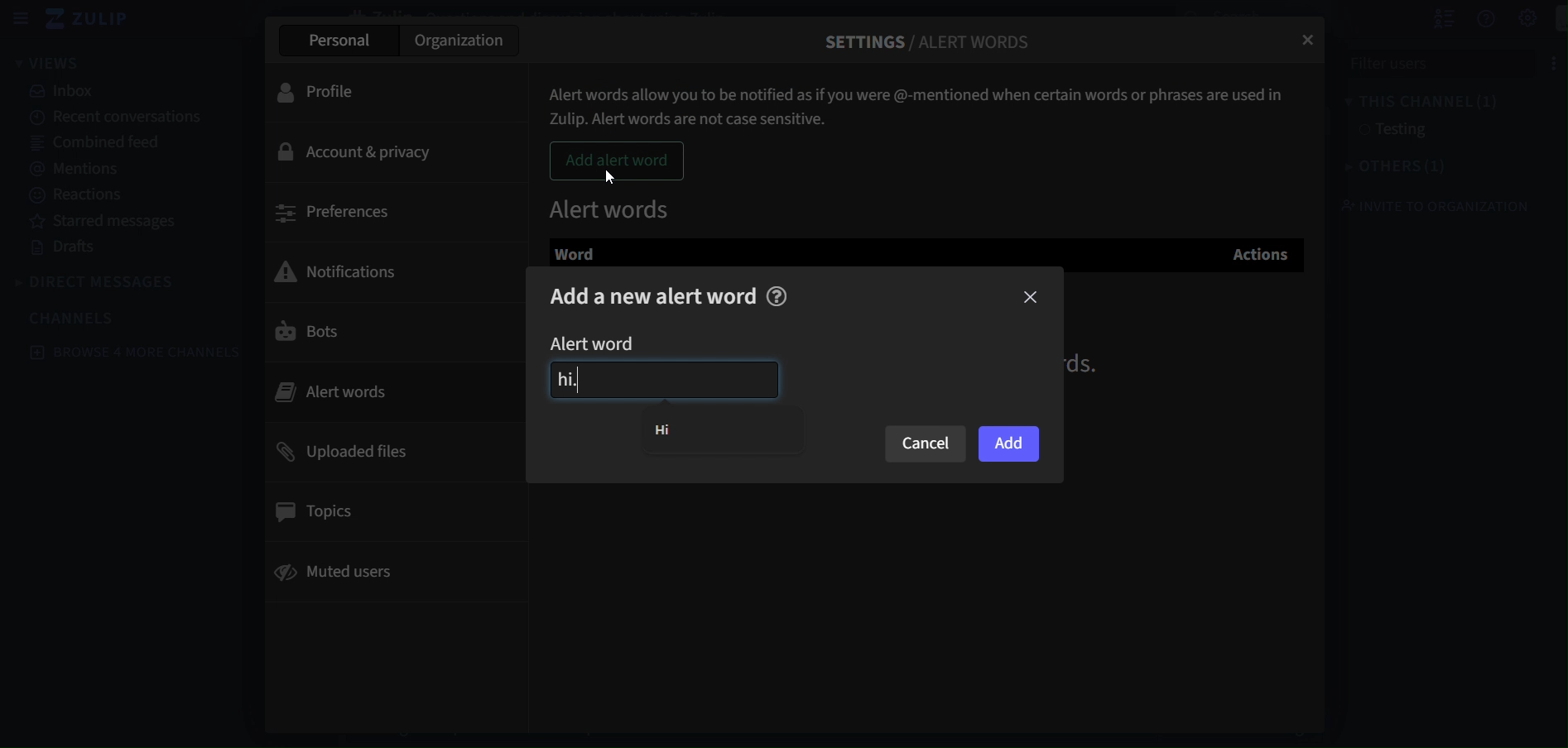 The width and height of the screenshot is (1568, 748). Describe the element at coordinates (1393, 132) in the screenshot. I see `testing` at that location.